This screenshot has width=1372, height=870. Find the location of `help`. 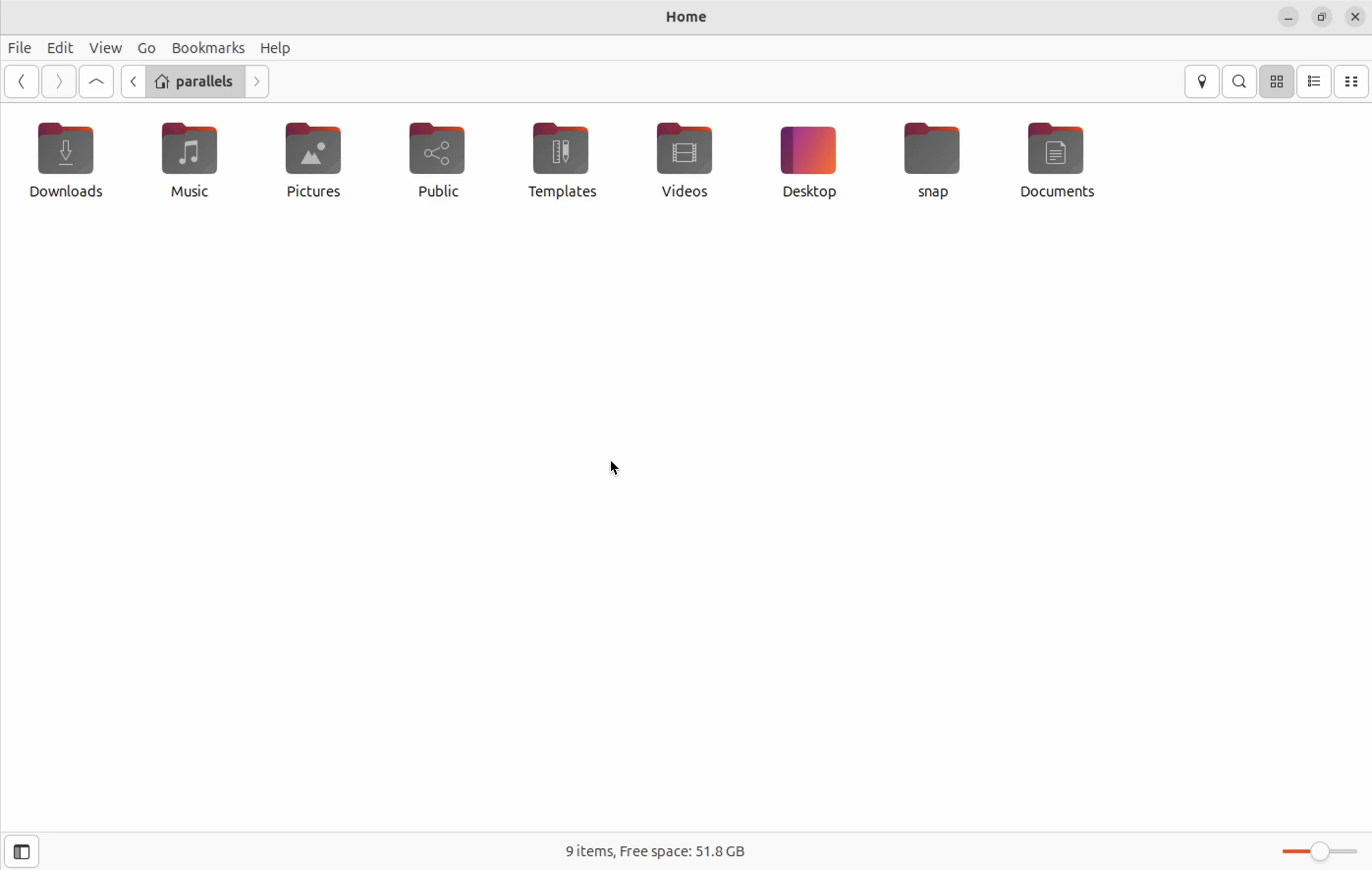

help is located at coordinates (278, 48).